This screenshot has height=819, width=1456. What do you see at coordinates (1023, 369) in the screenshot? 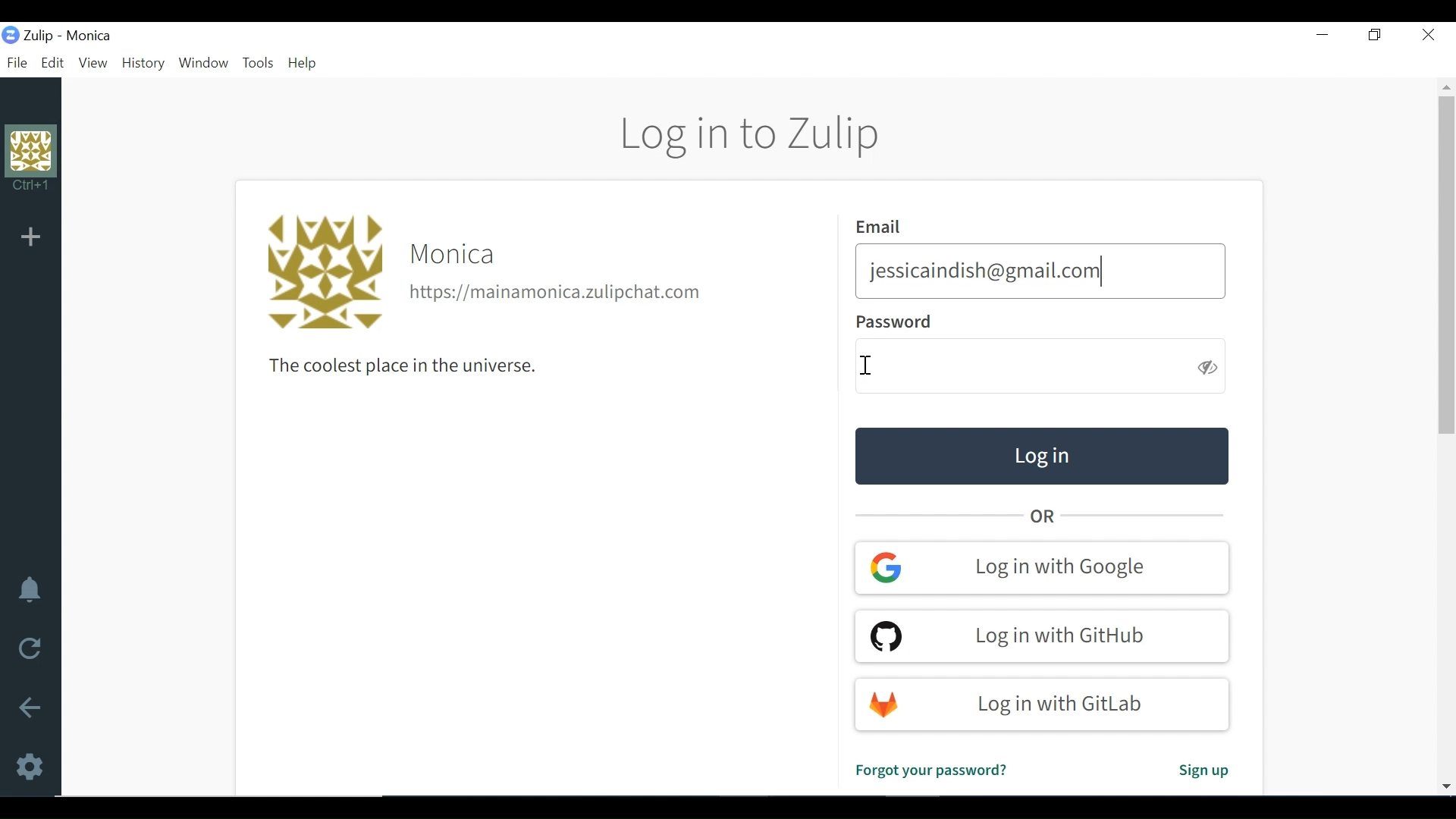
I see `Enter Password` at bounding box center [1023, 369].